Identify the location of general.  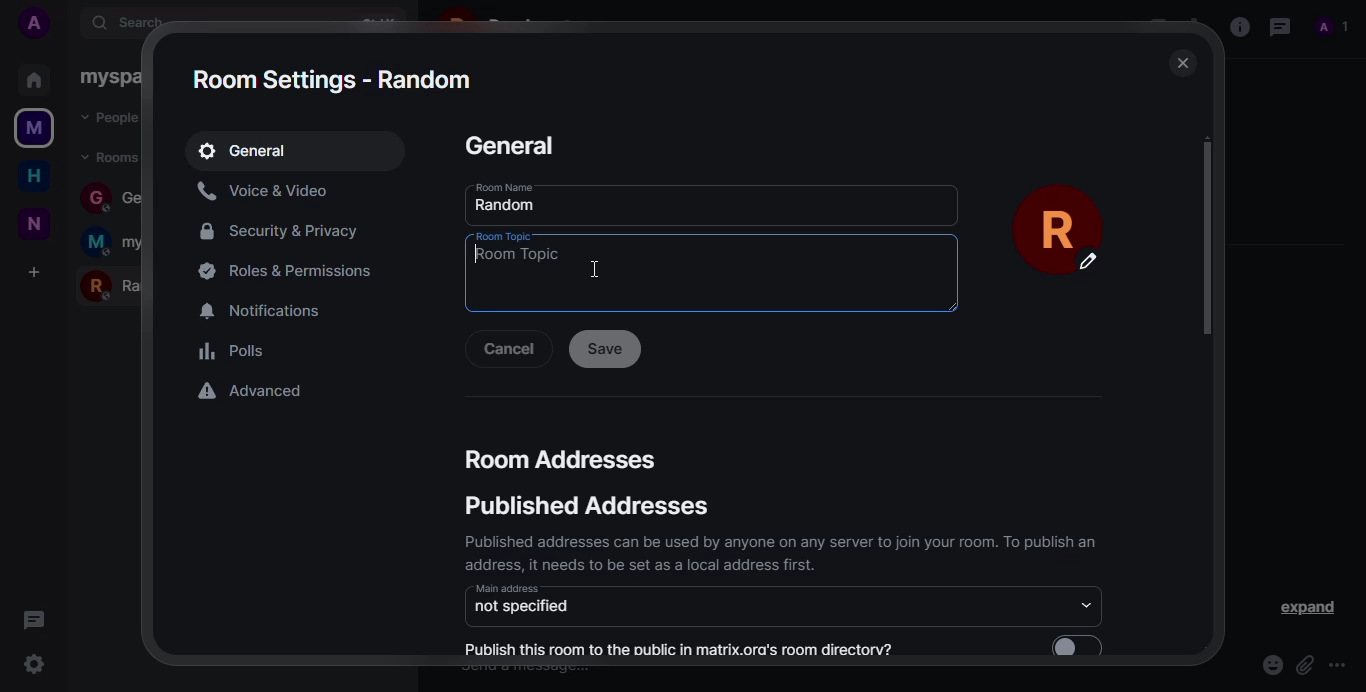
(254, 151).